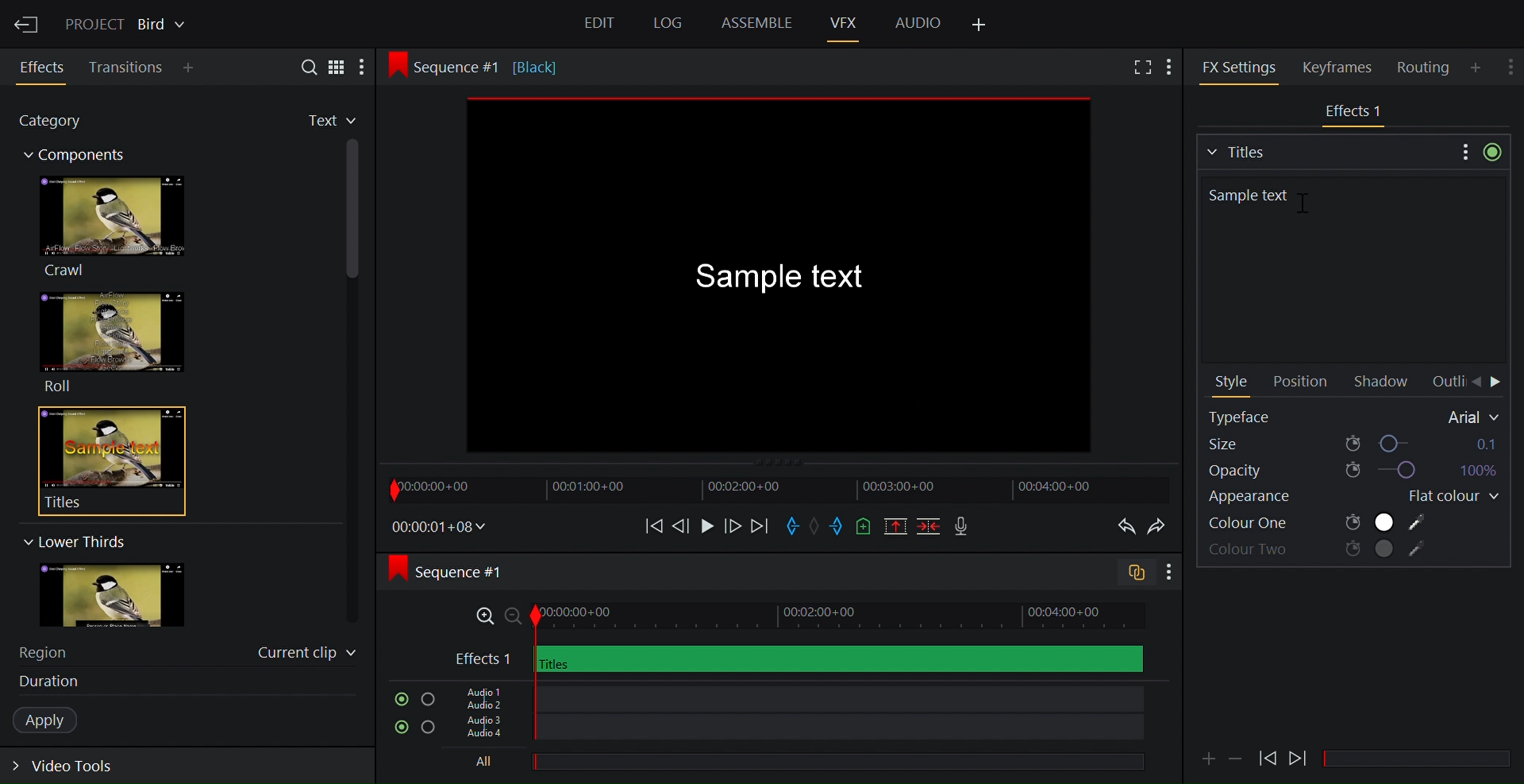 The width and height of the screenshot is (1524, 784). What do you see at coordinates (398, 699) in the screenshot?
I see `Mute/Unmute` at bounding box center [398, 699].